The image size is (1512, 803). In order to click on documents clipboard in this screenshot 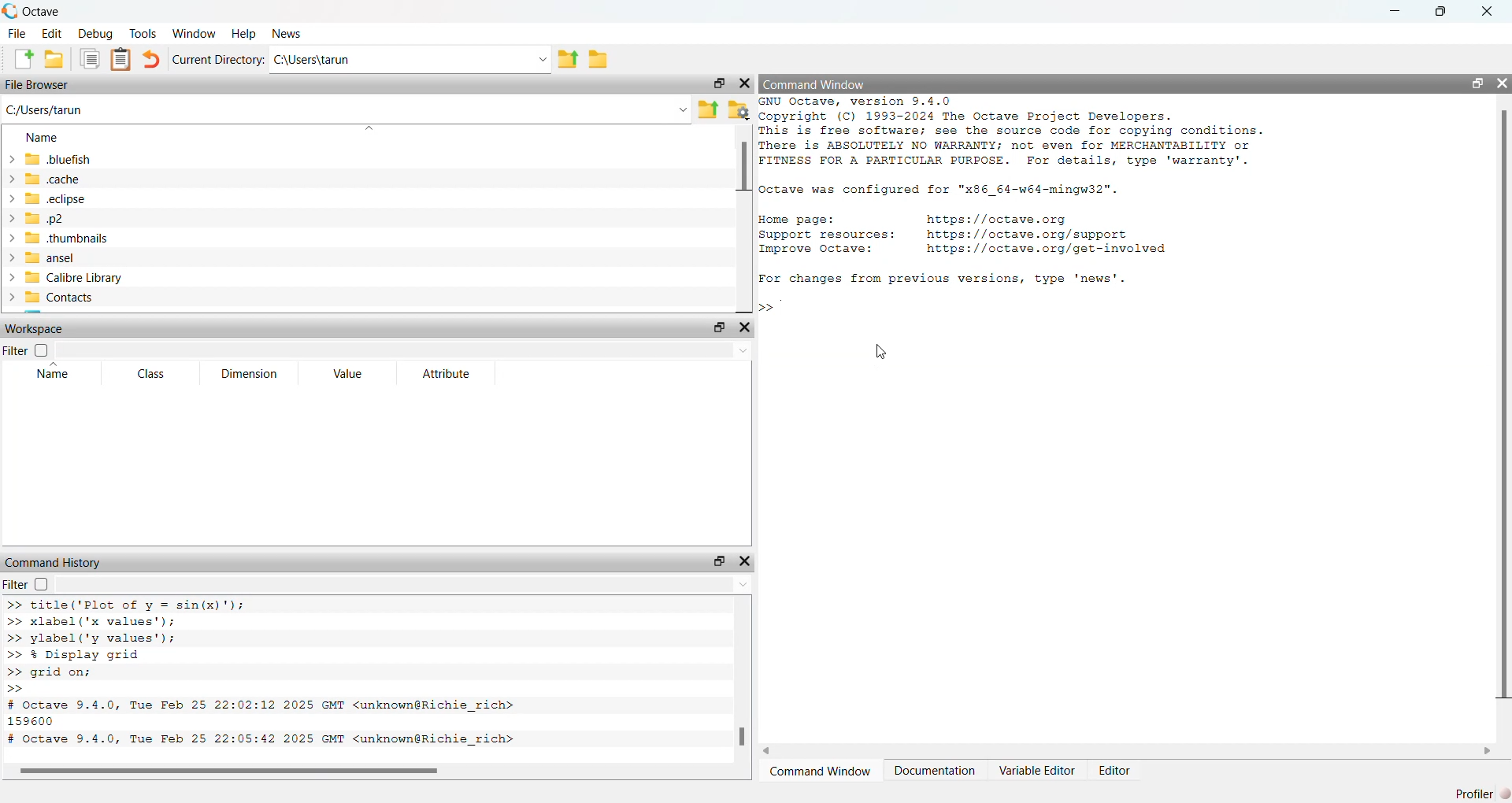, I will do `click(120, 58)`.